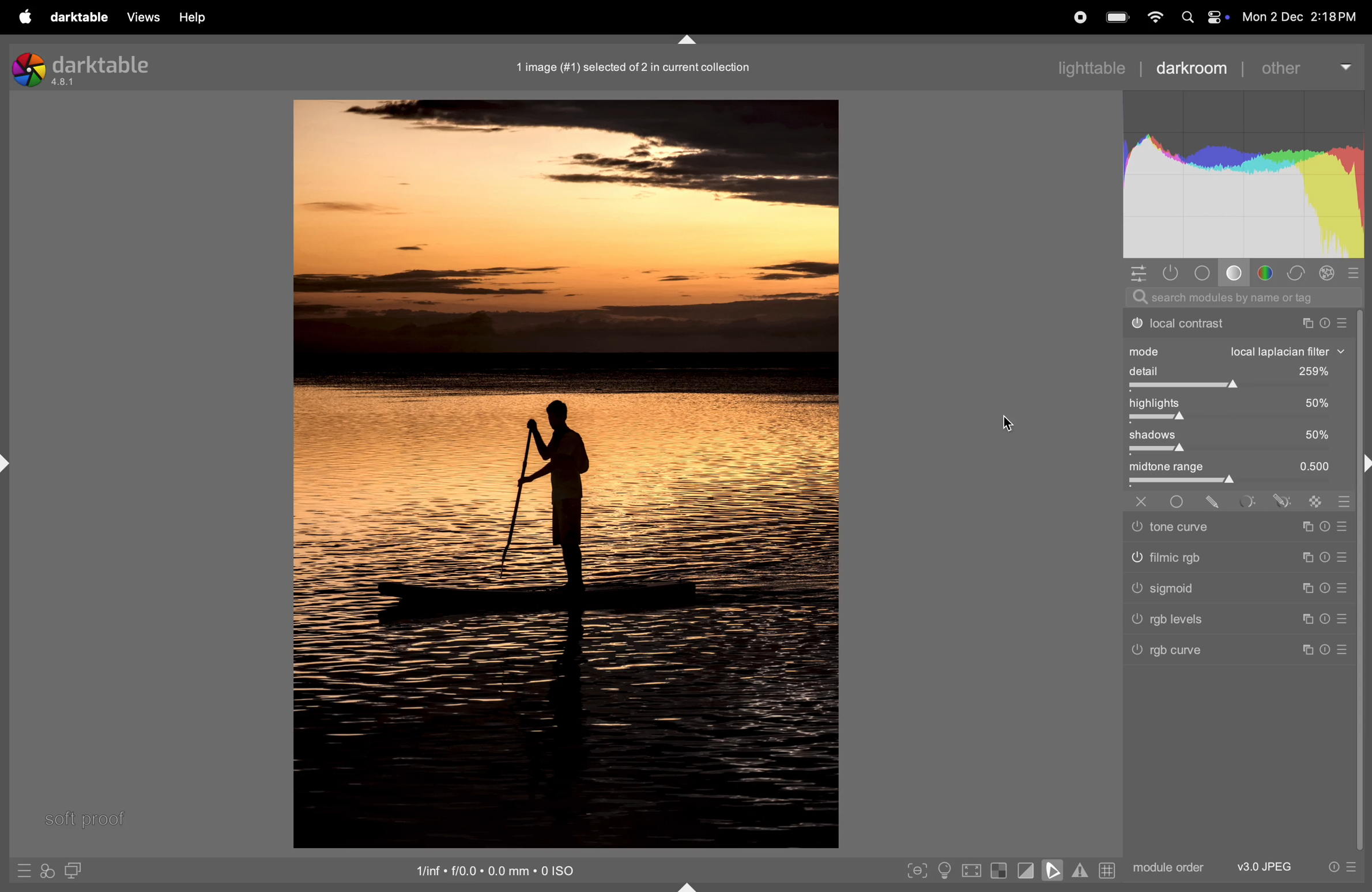  Describe the element at coordinates (1237, 324) in the screenshot. I see `local contrast` at that location.